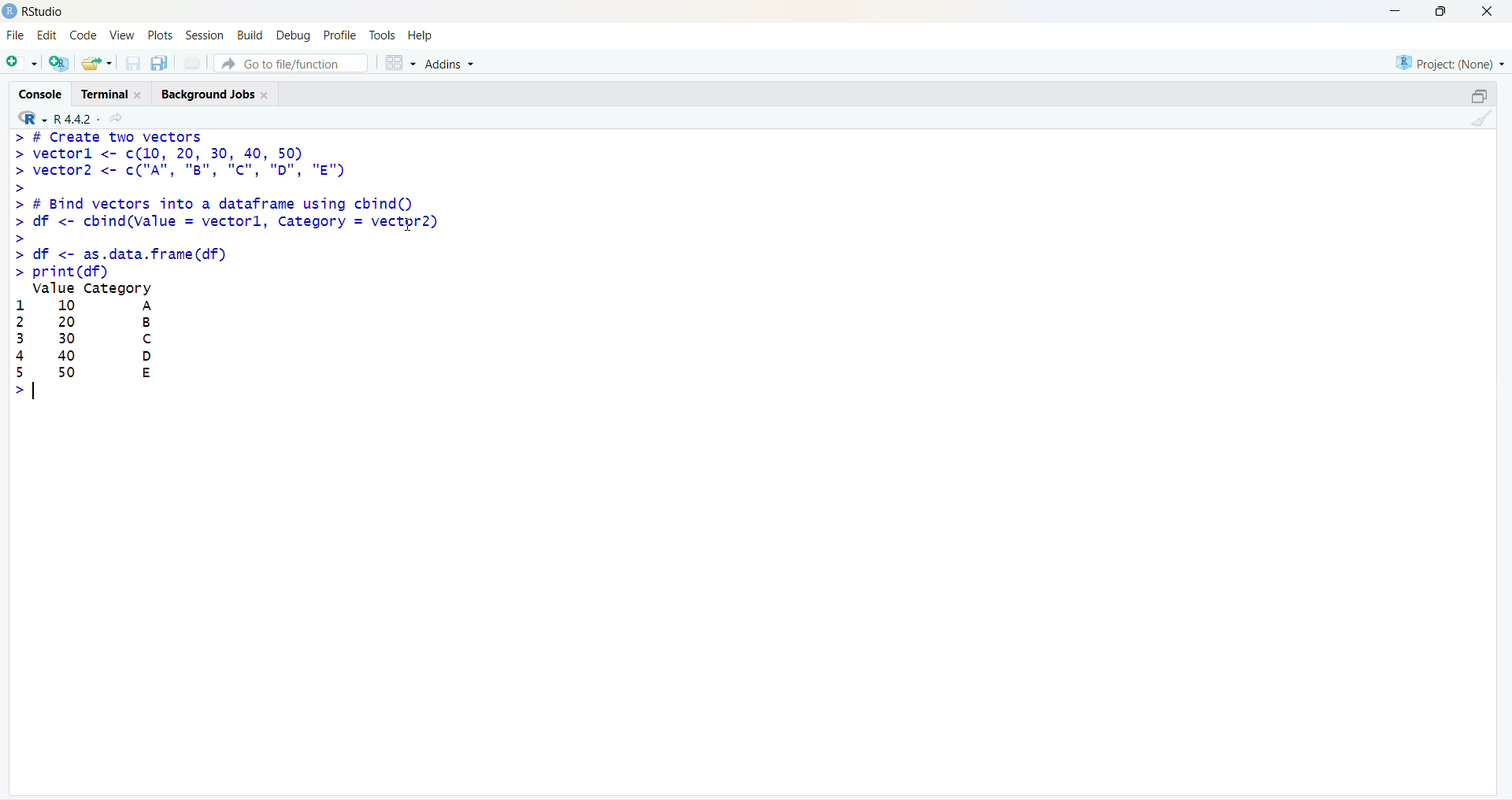 This screenshot has width=1512, height=800. What do you see at coordinates (1395, 12) in the screenshot?
I see `Minimize` at bounding box center [1395, 12].